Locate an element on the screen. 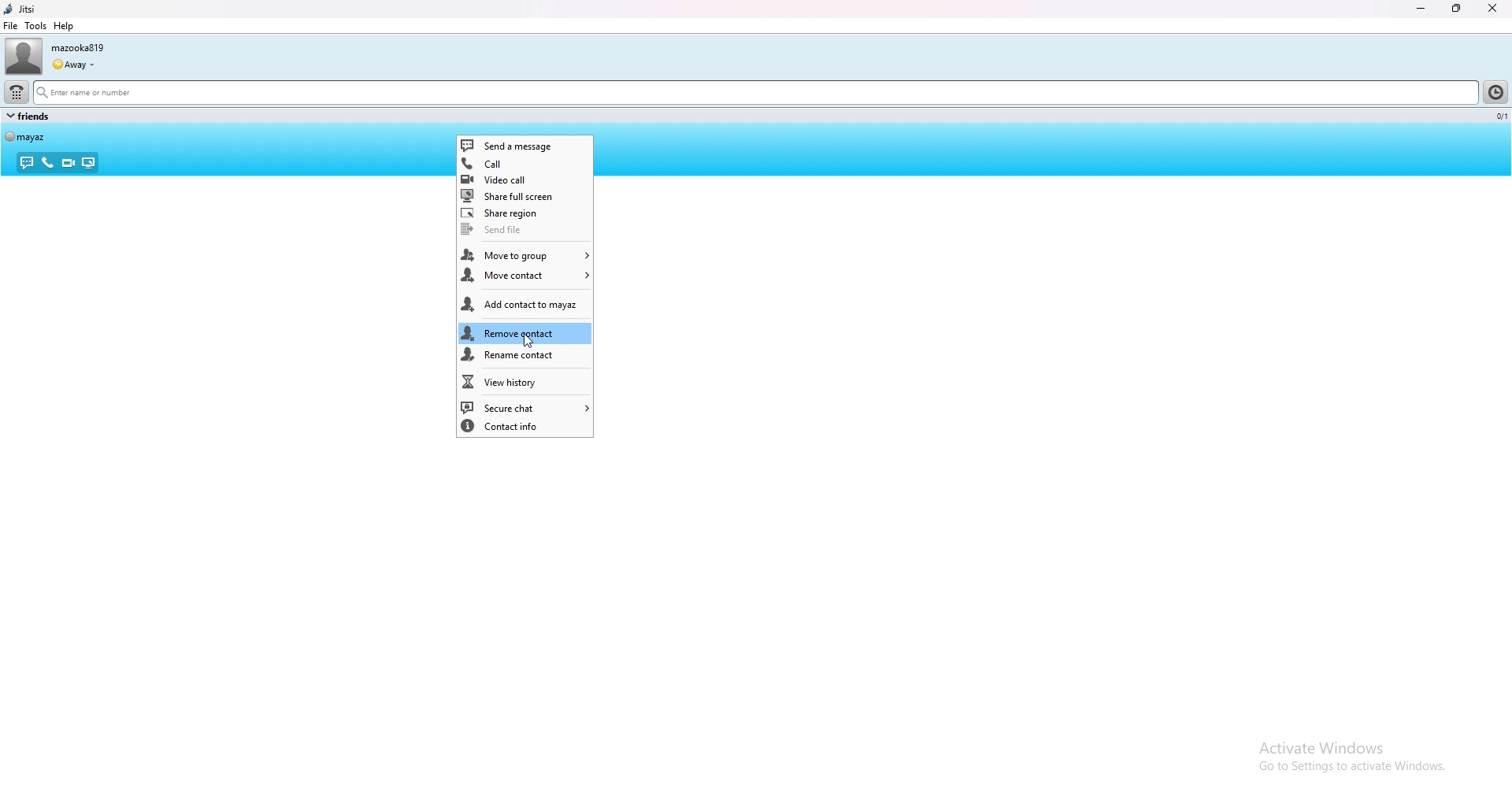  share desktop is located at coordinates (87, 163).